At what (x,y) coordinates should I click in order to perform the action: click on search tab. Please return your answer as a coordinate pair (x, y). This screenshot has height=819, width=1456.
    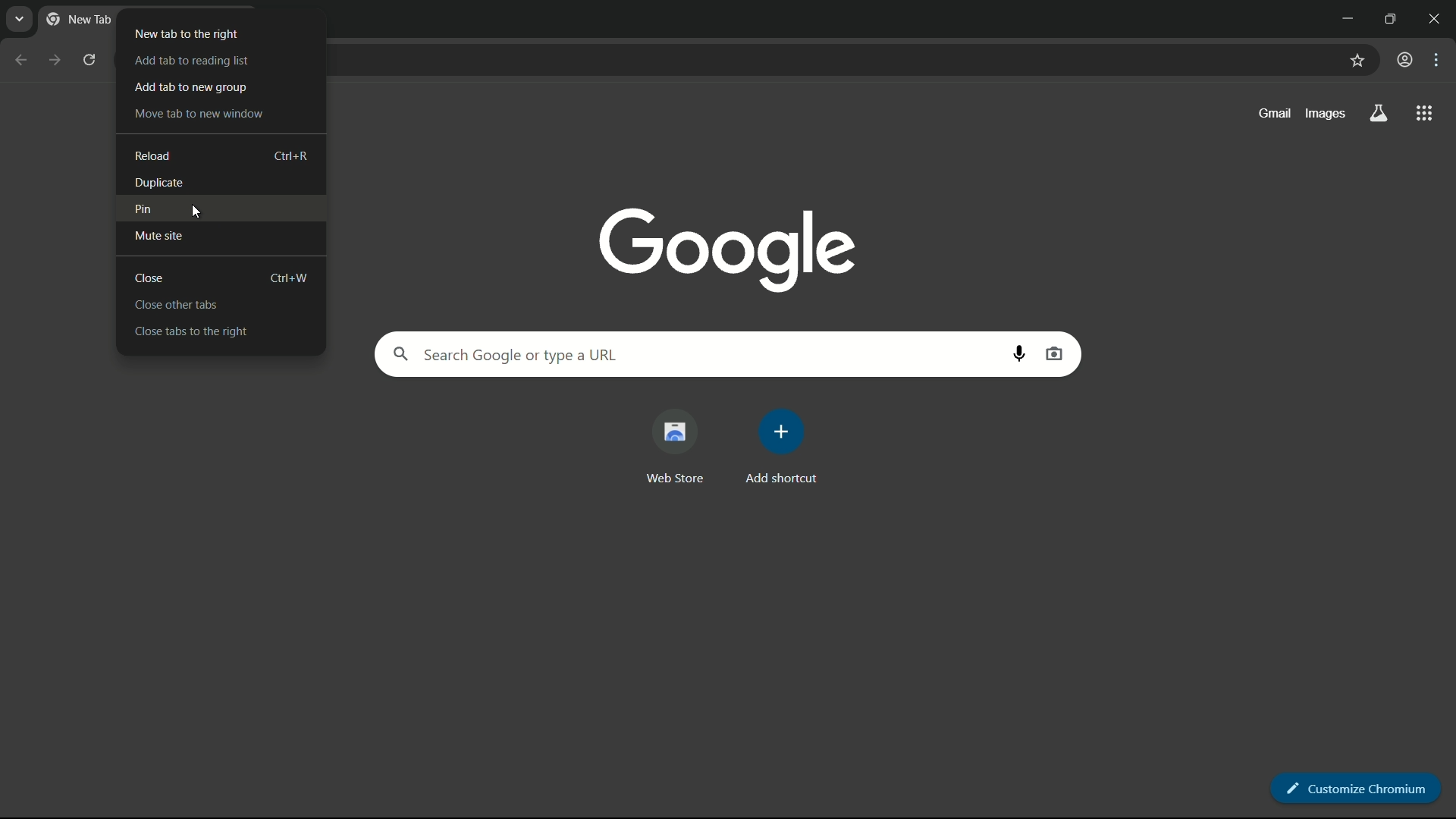
    Looking at the image, I should click on (20, 20).